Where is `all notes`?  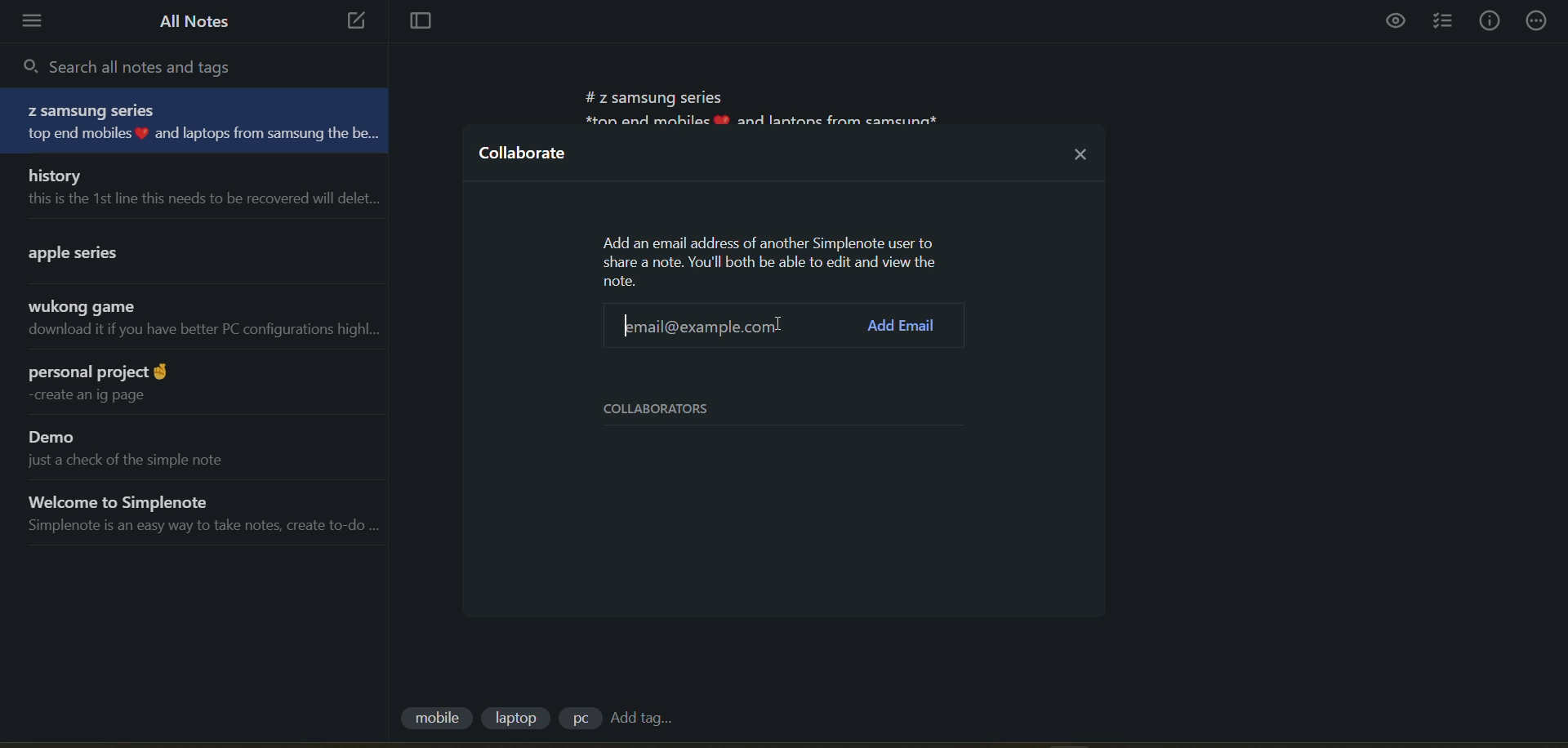
all notes is located at coordinates (195, 21).